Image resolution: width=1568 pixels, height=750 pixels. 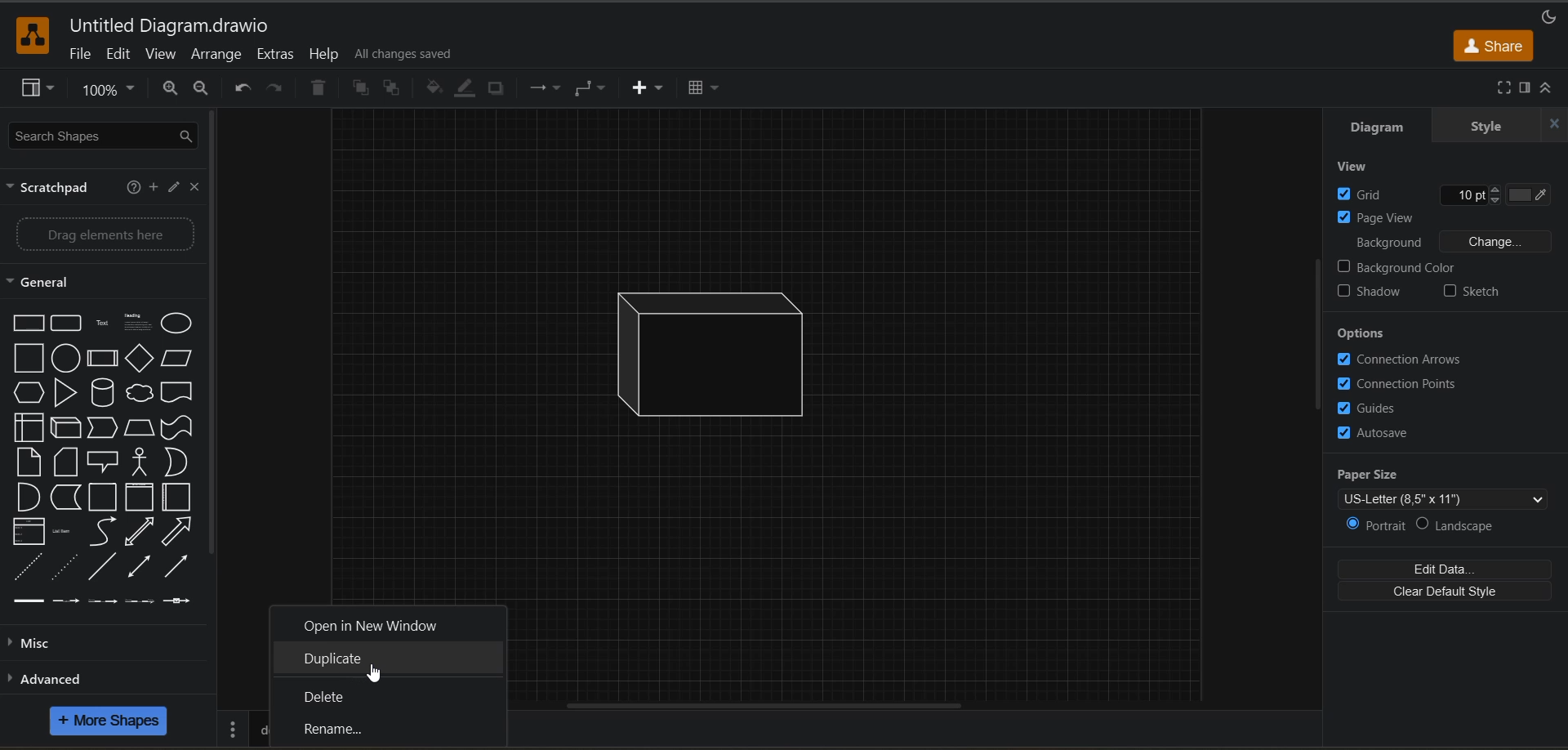 I want to click on more shapes, so click(x=109, y=721).